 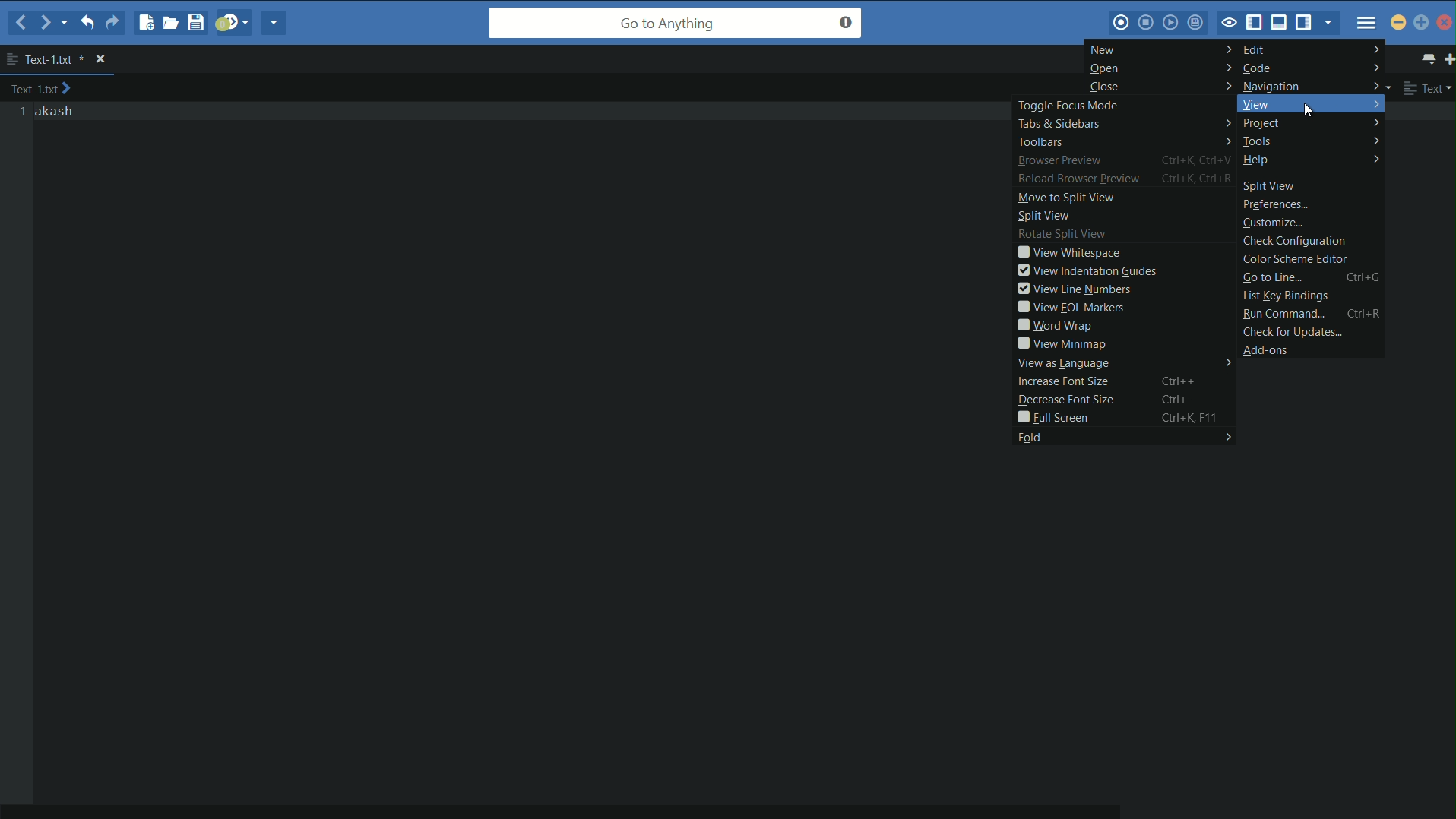 I want to click on line nnumber, so click(x=24, y=112).